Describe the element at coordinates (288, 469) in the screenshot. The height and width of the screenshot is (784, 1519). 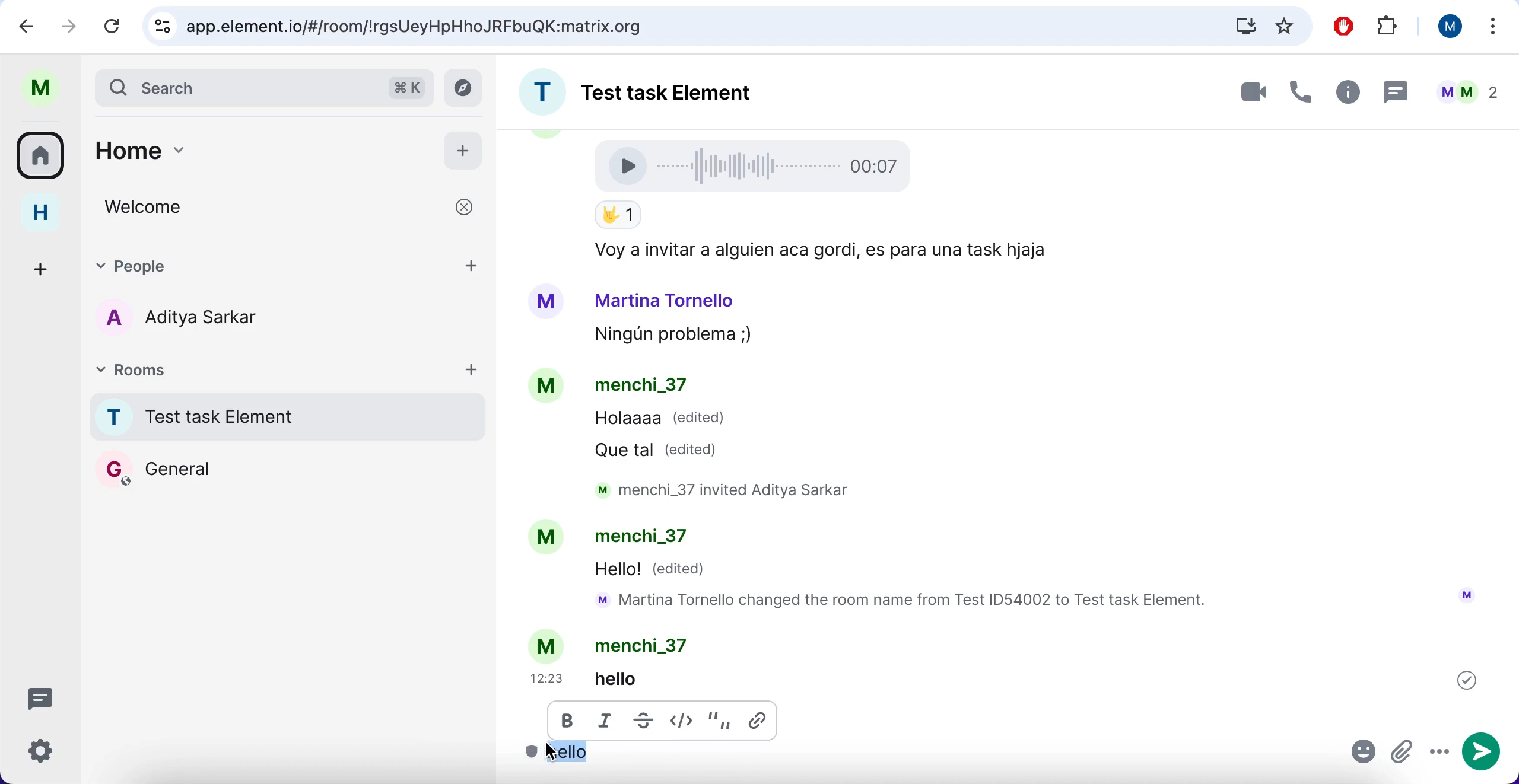
I see `General rooms` at that location.